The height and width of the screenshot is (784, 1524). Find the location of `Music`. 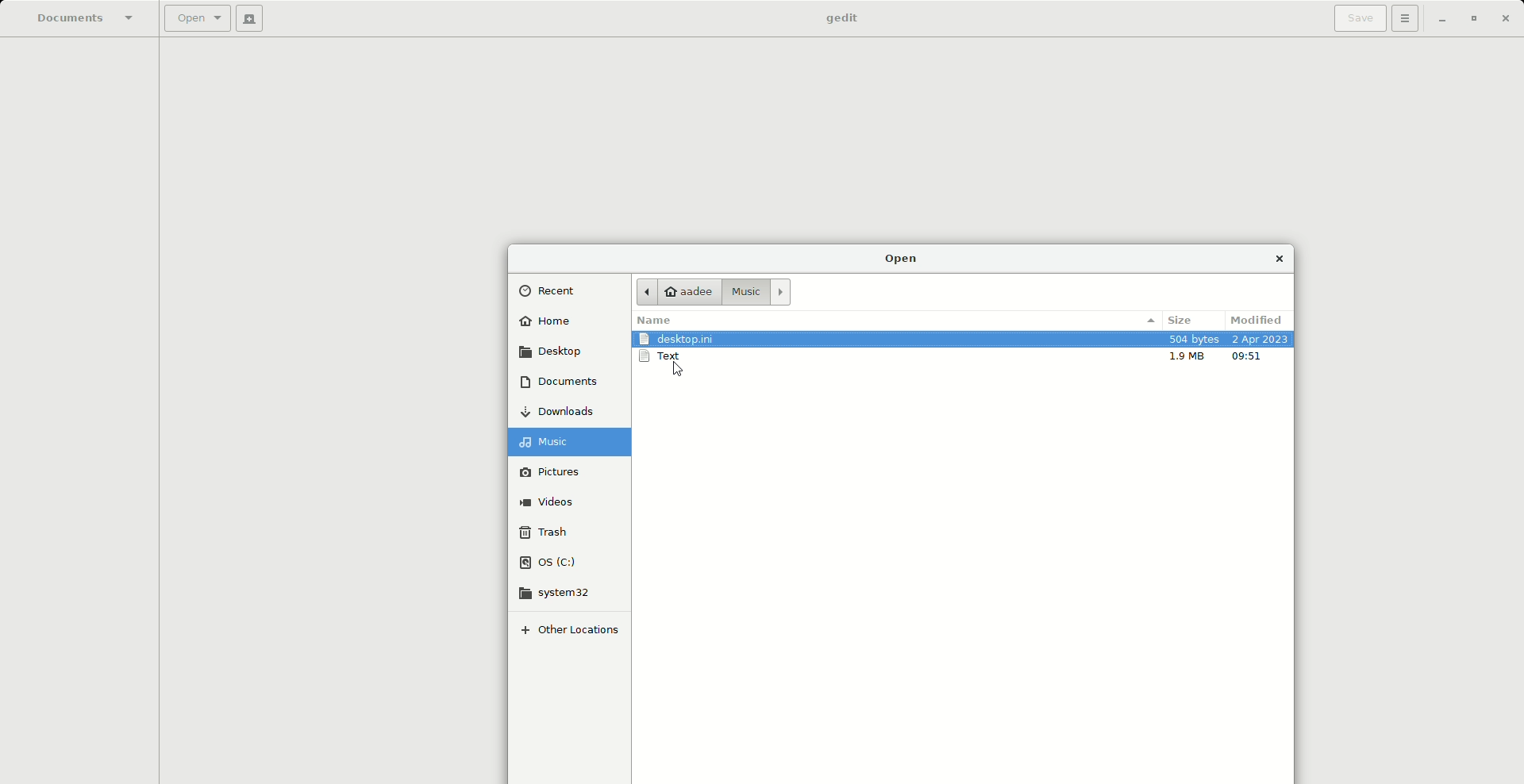

Music is located at coordinates (754, 293).